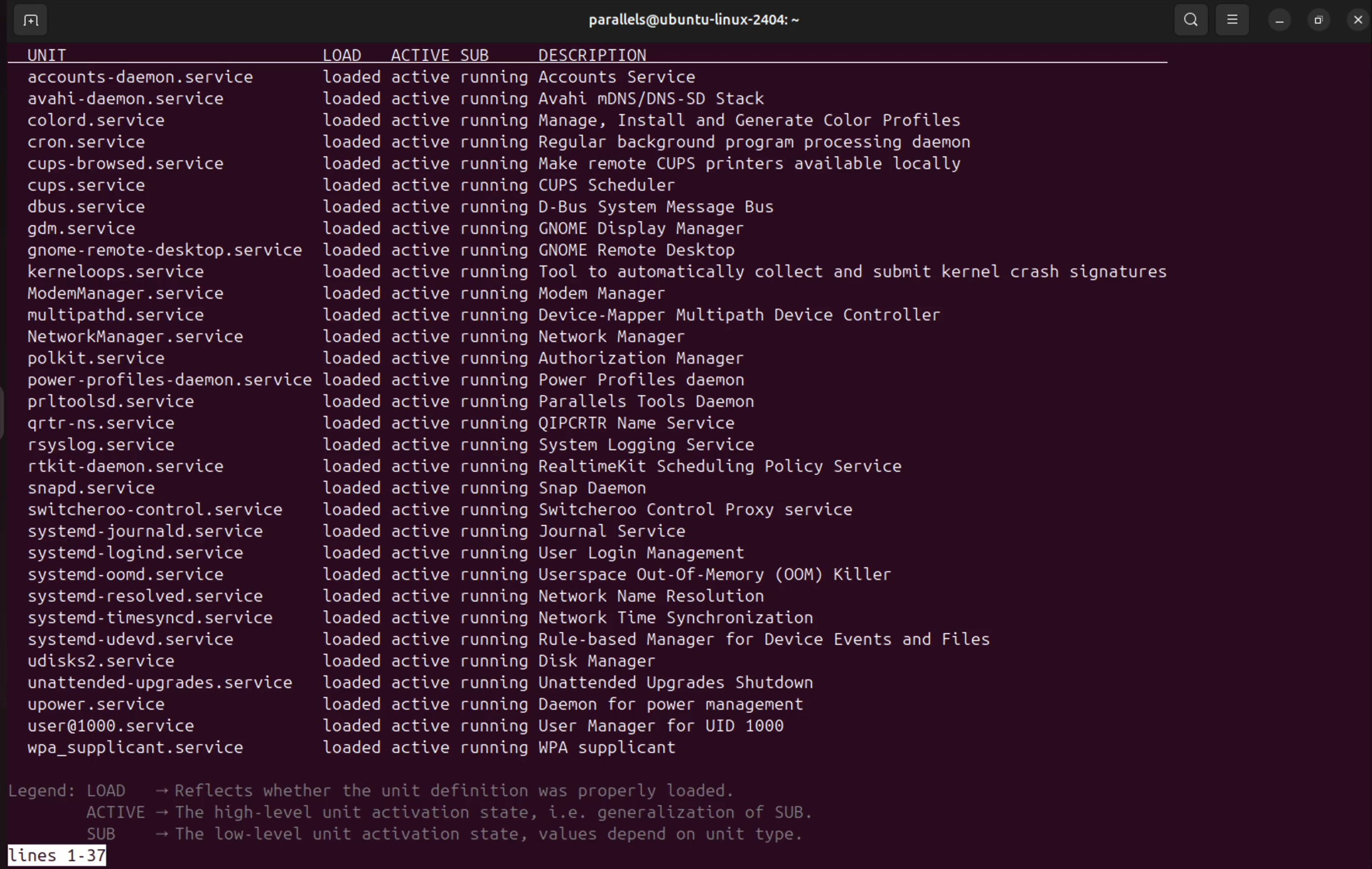 The width and height of the screenshot is (1372, 869). Describe the element at coordinates (350, 597) in the screenshot. I see `loaded` at that location.